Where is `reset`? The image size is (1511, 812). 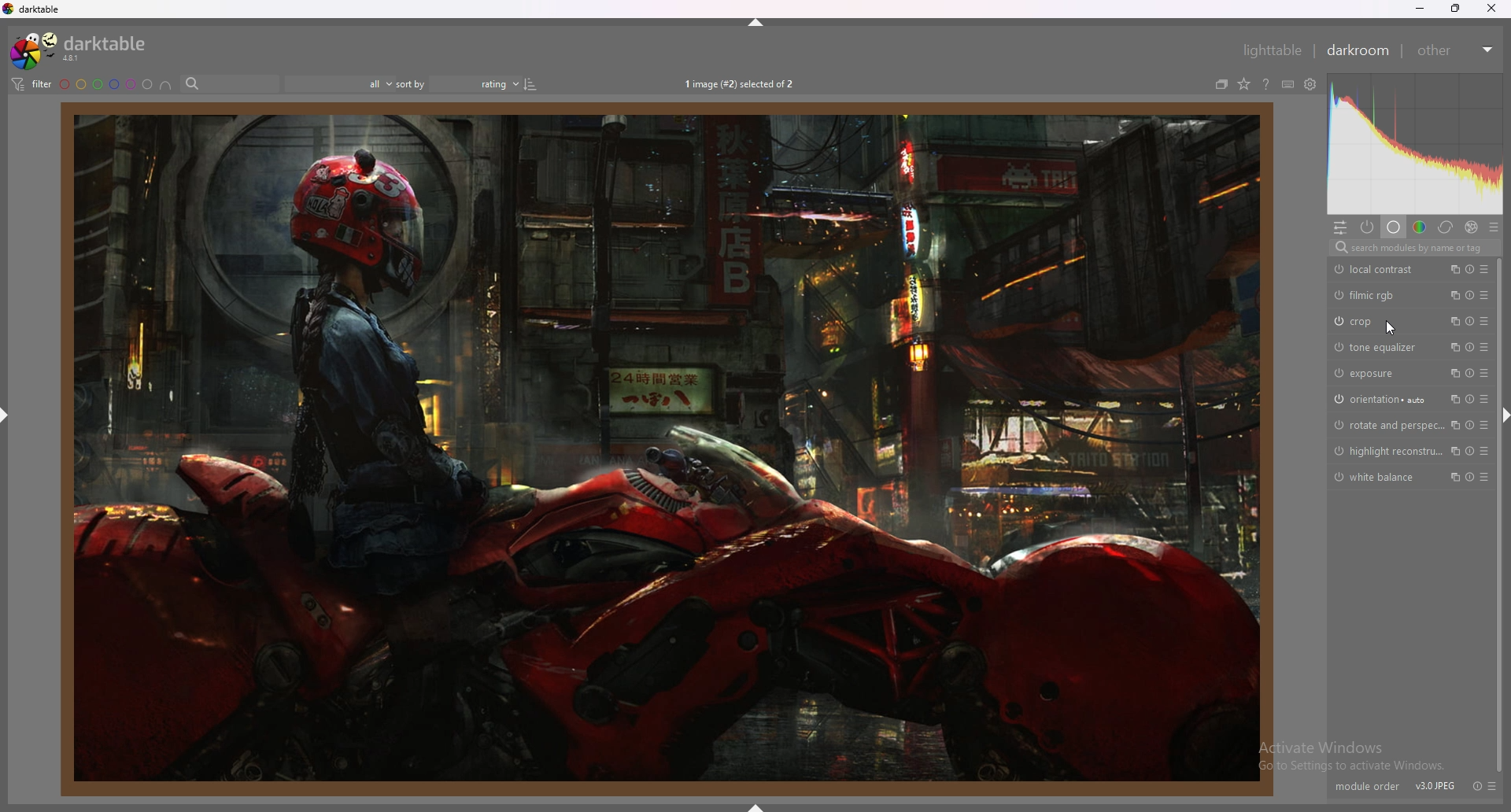 reset is located at coordinates (1469, 425).